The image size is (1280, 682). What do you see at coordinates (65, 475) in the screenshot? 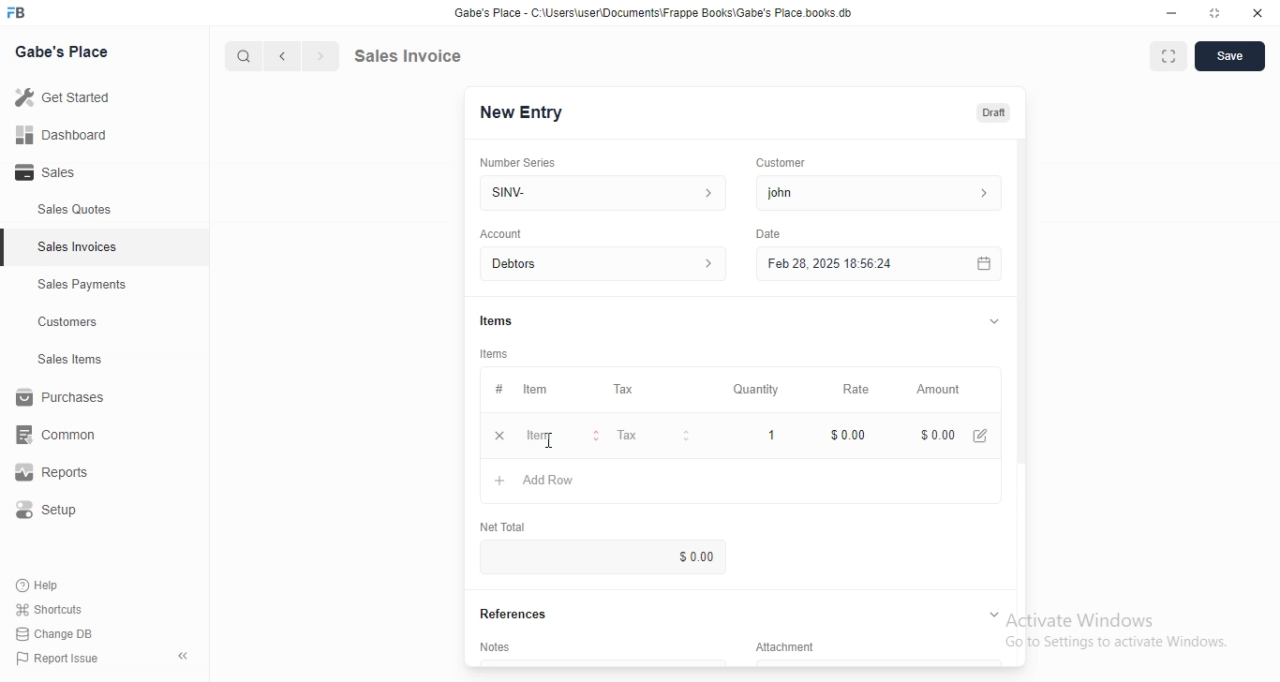
I see `Reports` at bounding box center [65, 475].